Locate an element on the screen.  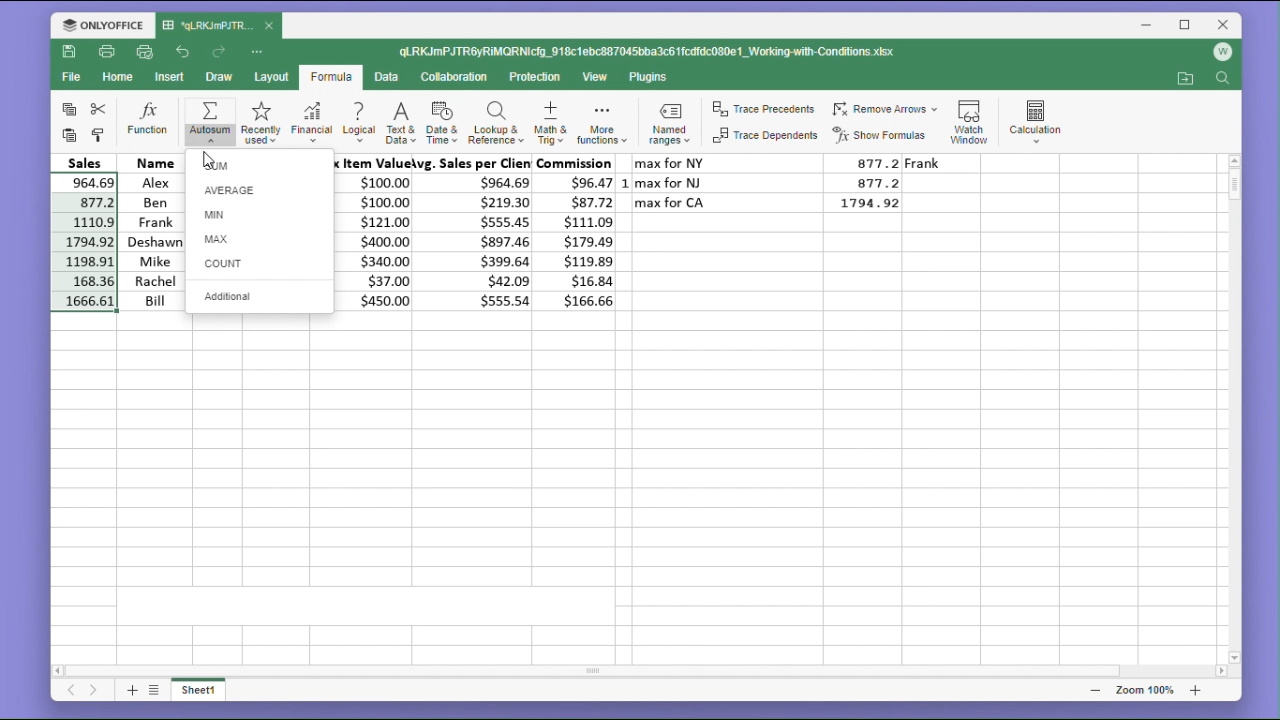
max item values is located at coordinates (378, 233).